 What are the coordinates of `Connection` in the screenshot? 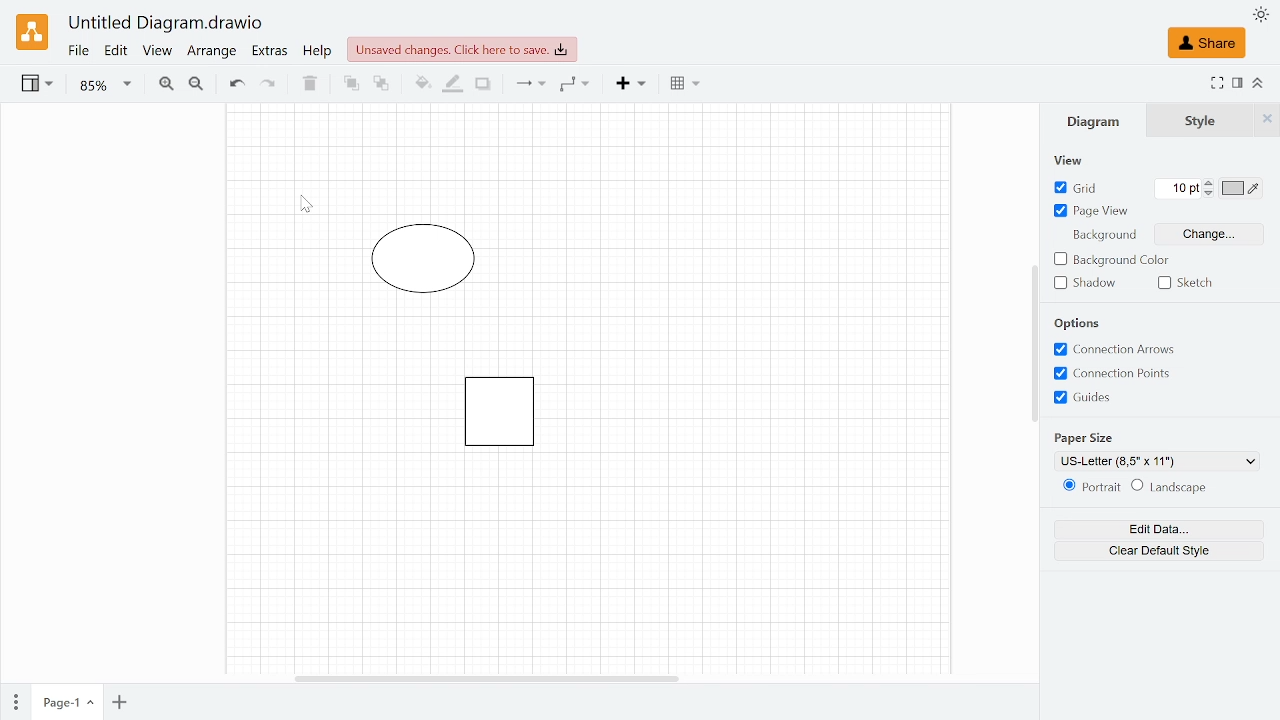 It's located at (529, 85).